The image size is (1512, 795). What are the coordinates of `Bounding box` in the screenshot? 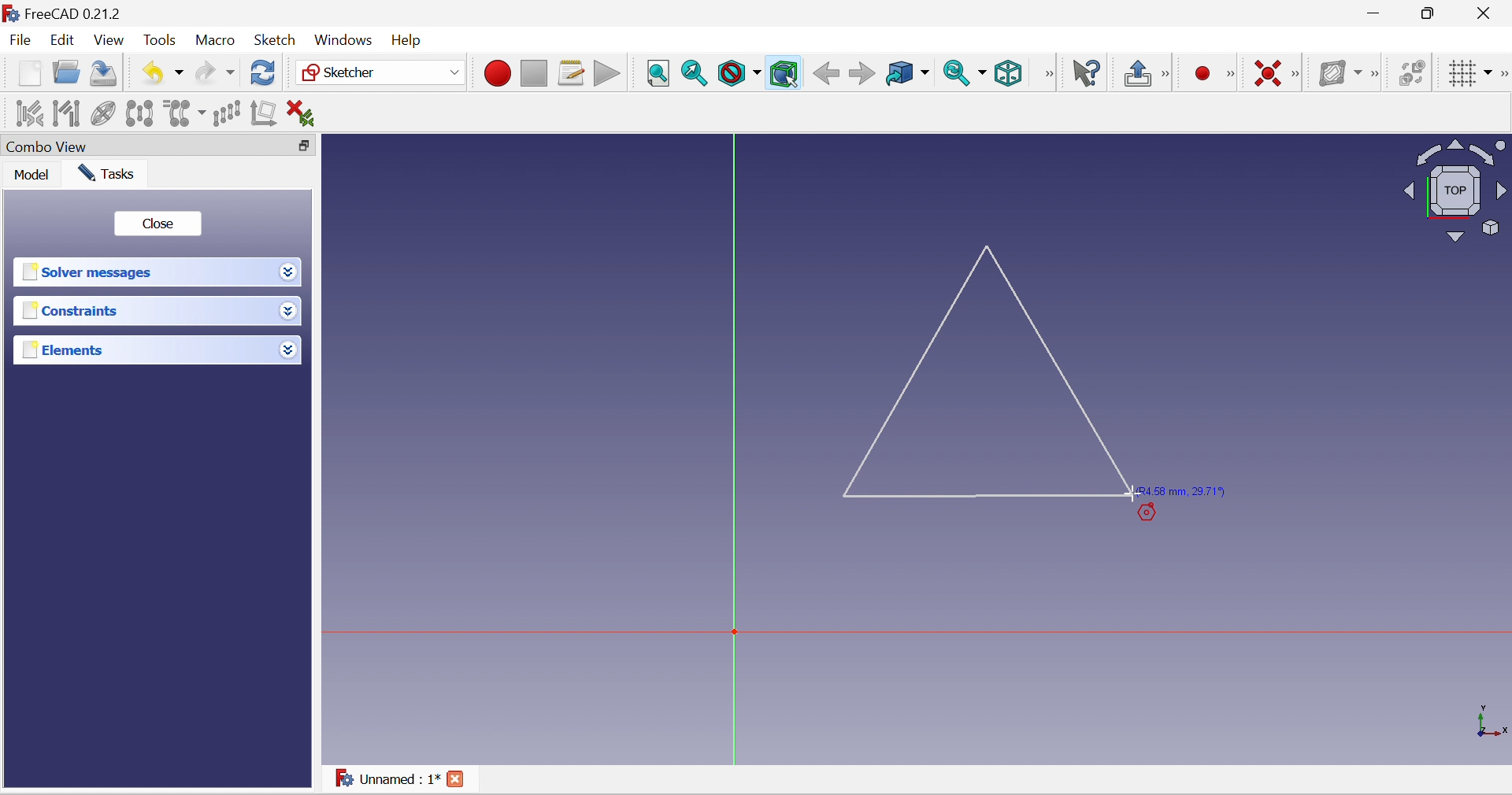 It's located at (785, 74).